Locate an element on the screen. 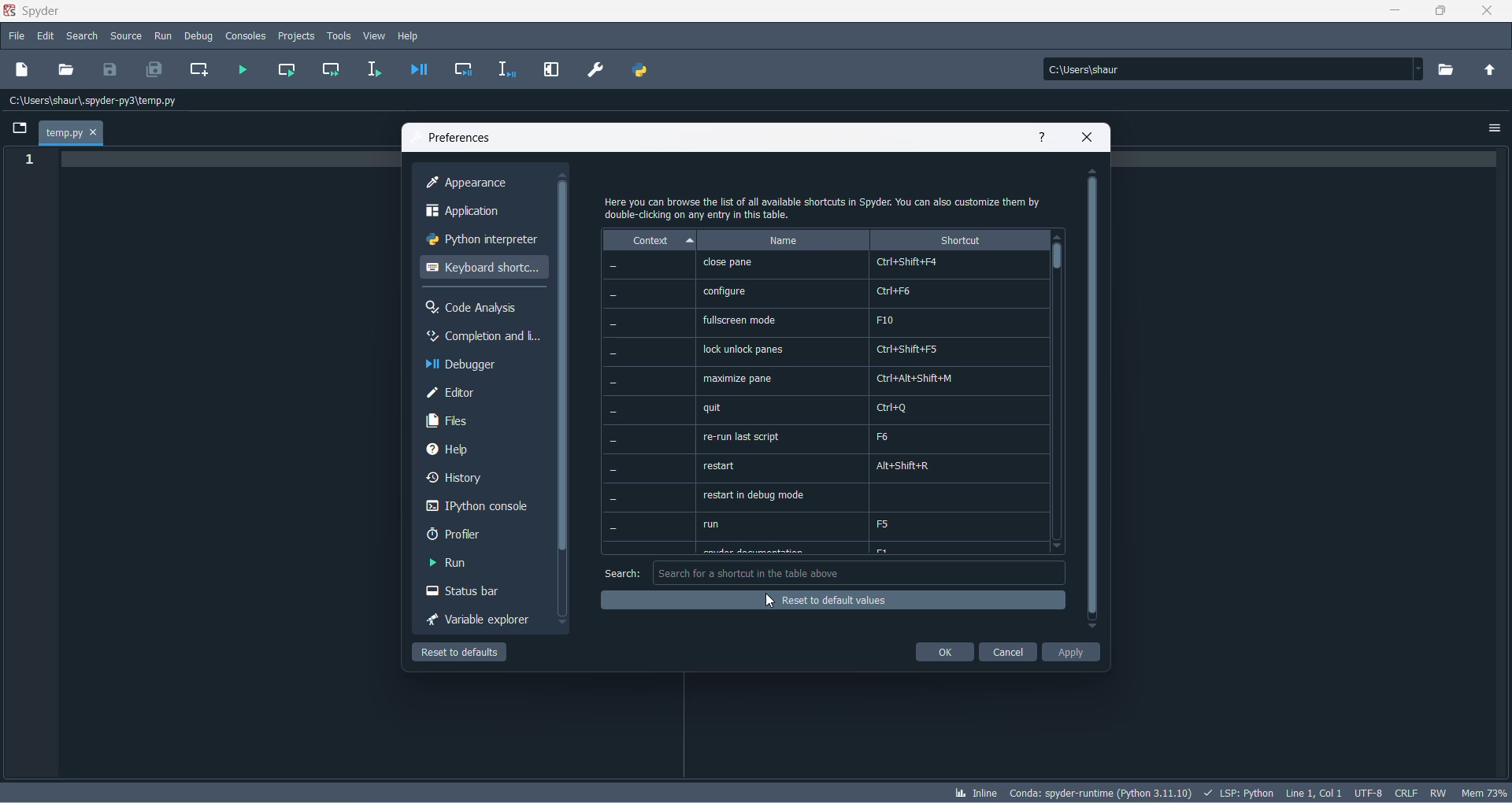 This screenshot has width=1512, height=803. close is located at coordinates (1484, 15).